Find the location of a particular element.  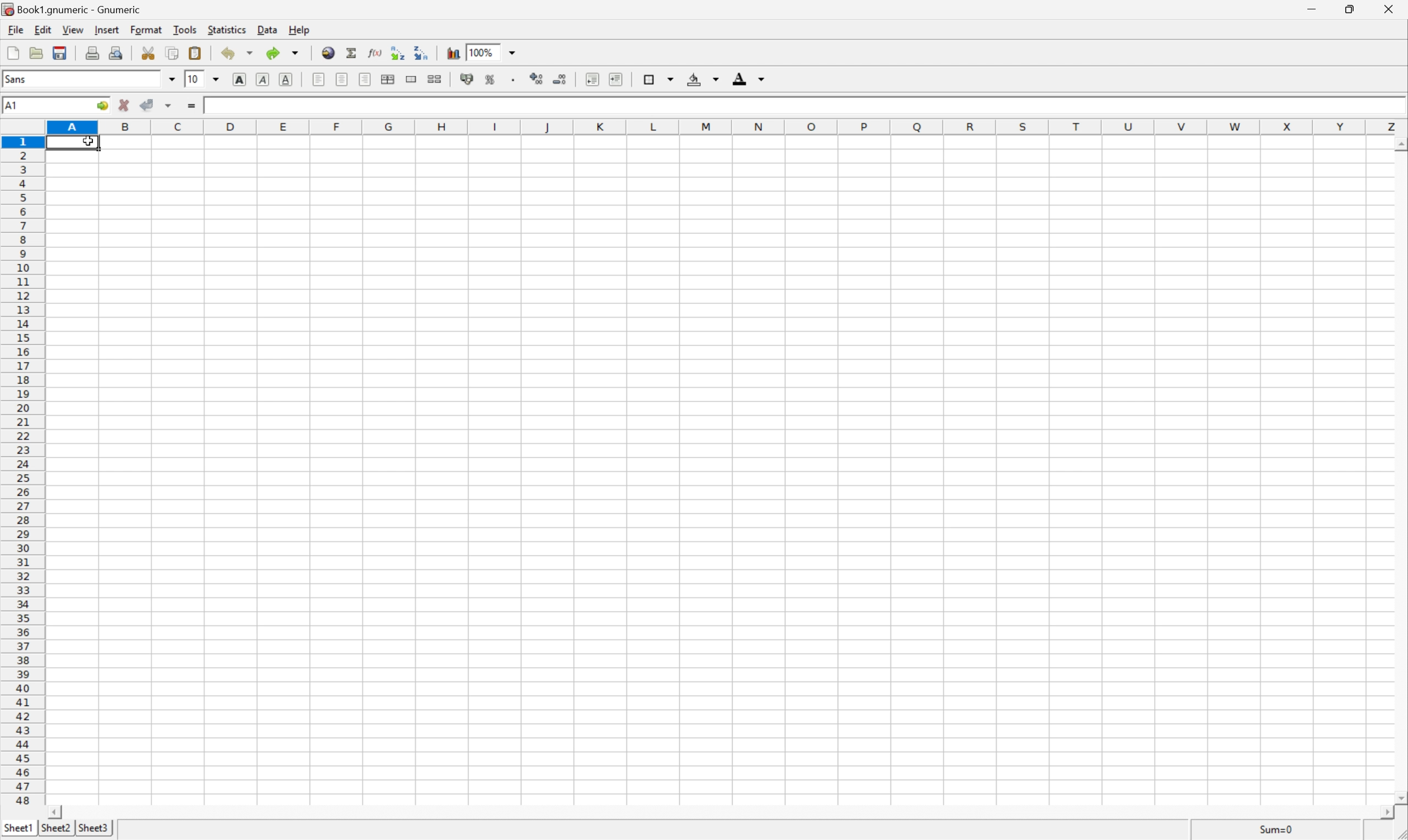

decrease indent is located at coordinates (592, 79).